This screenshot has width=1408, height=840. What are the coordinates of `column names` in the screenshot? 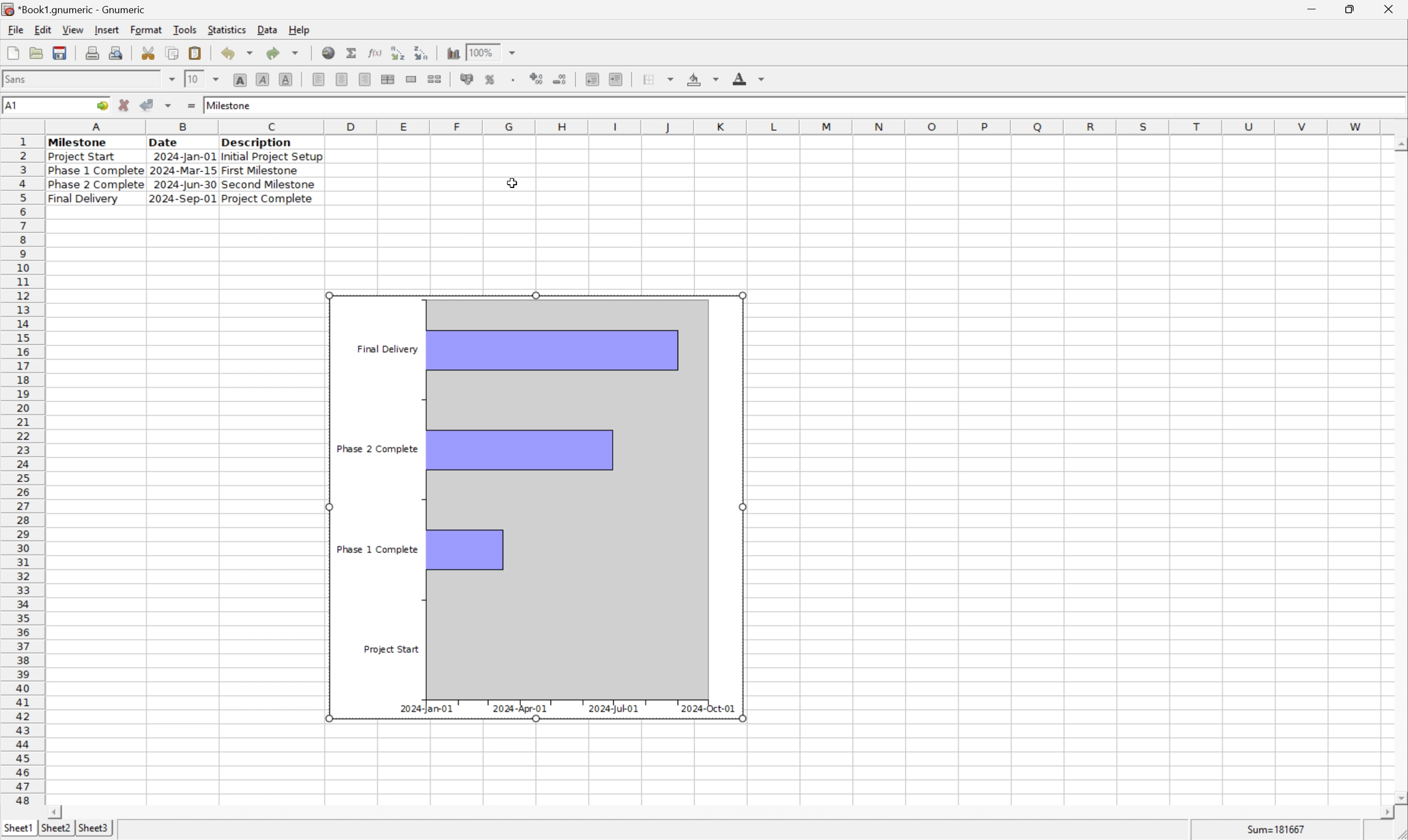 It's located at (716, 126).